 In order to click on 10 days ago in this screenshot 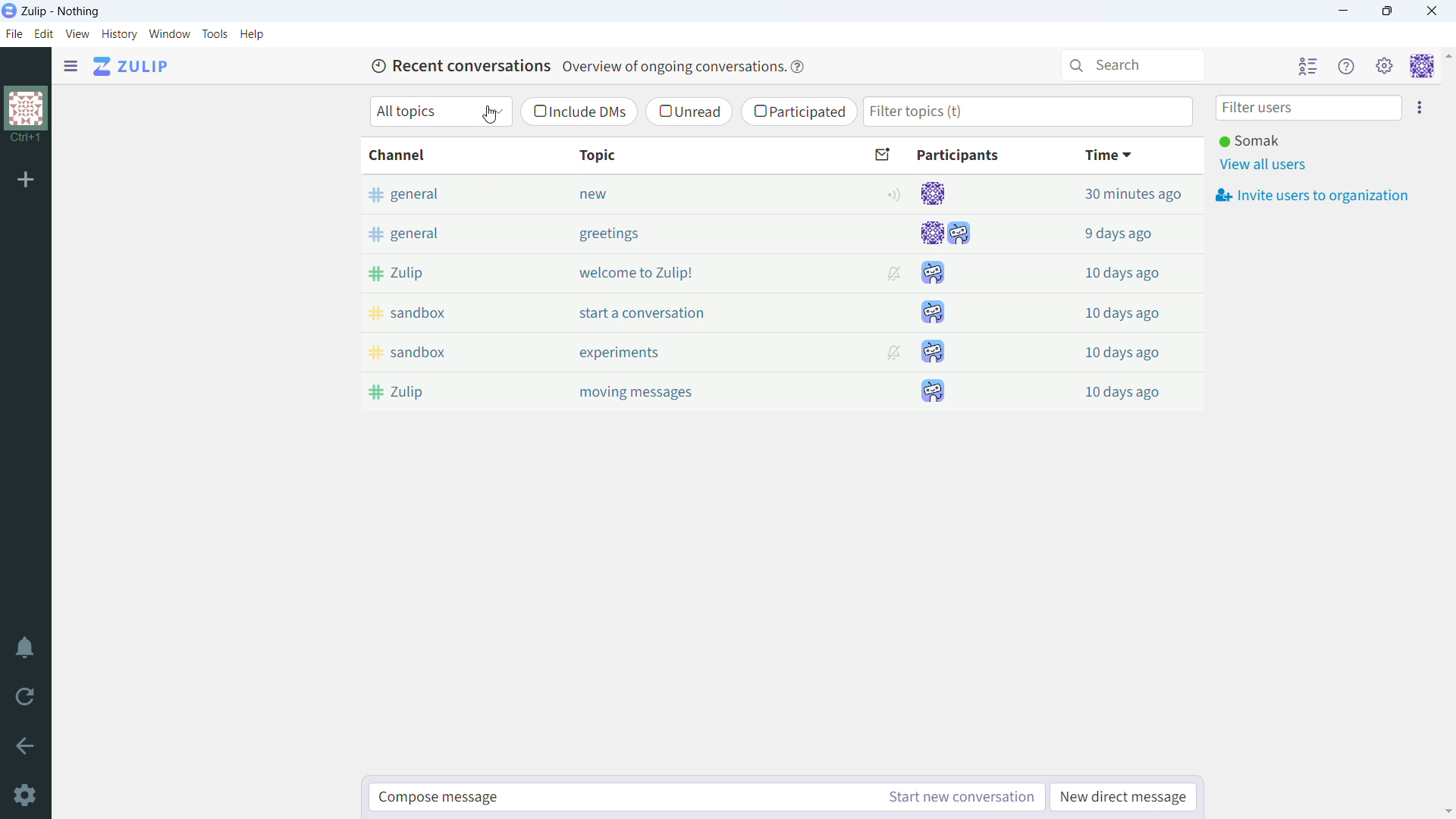, I will do `click(1122, 393)`.